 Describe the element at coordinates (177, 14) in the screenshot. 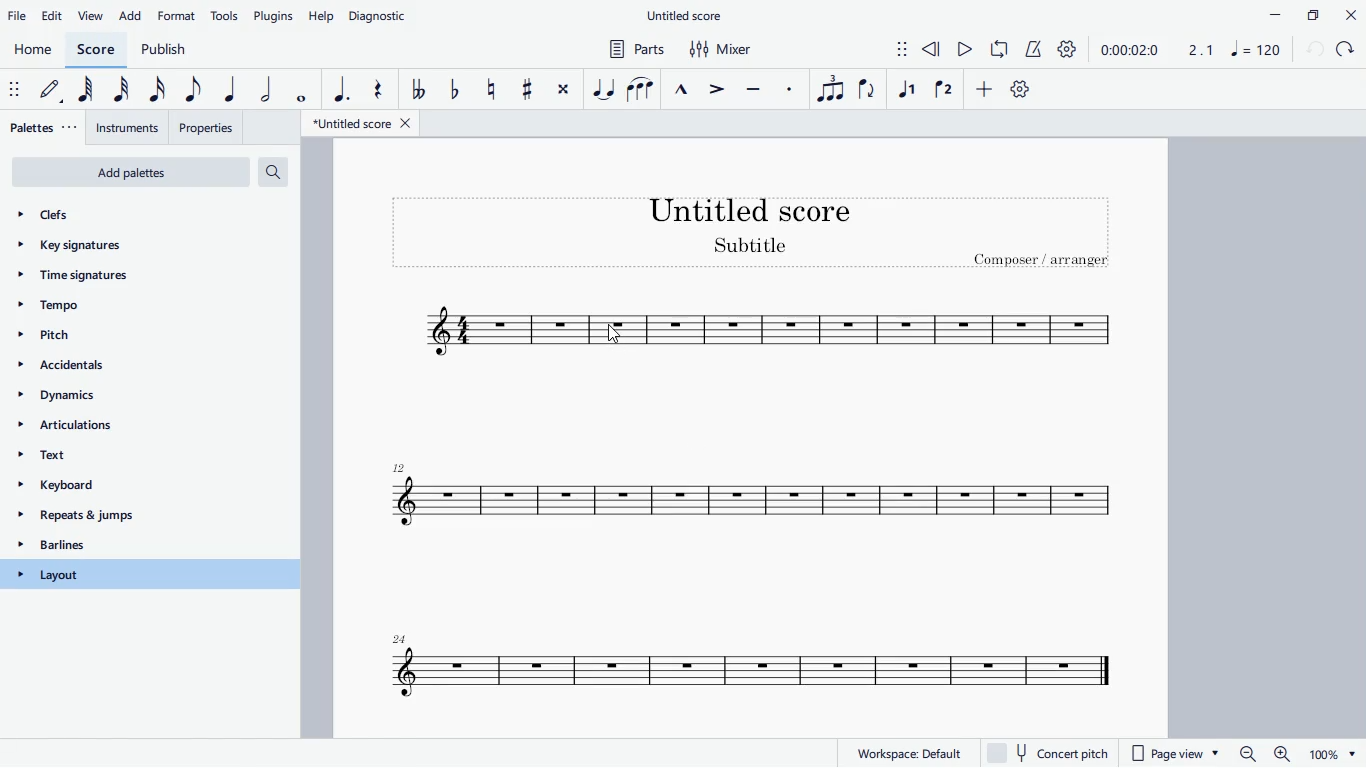

I see `format` at that location.